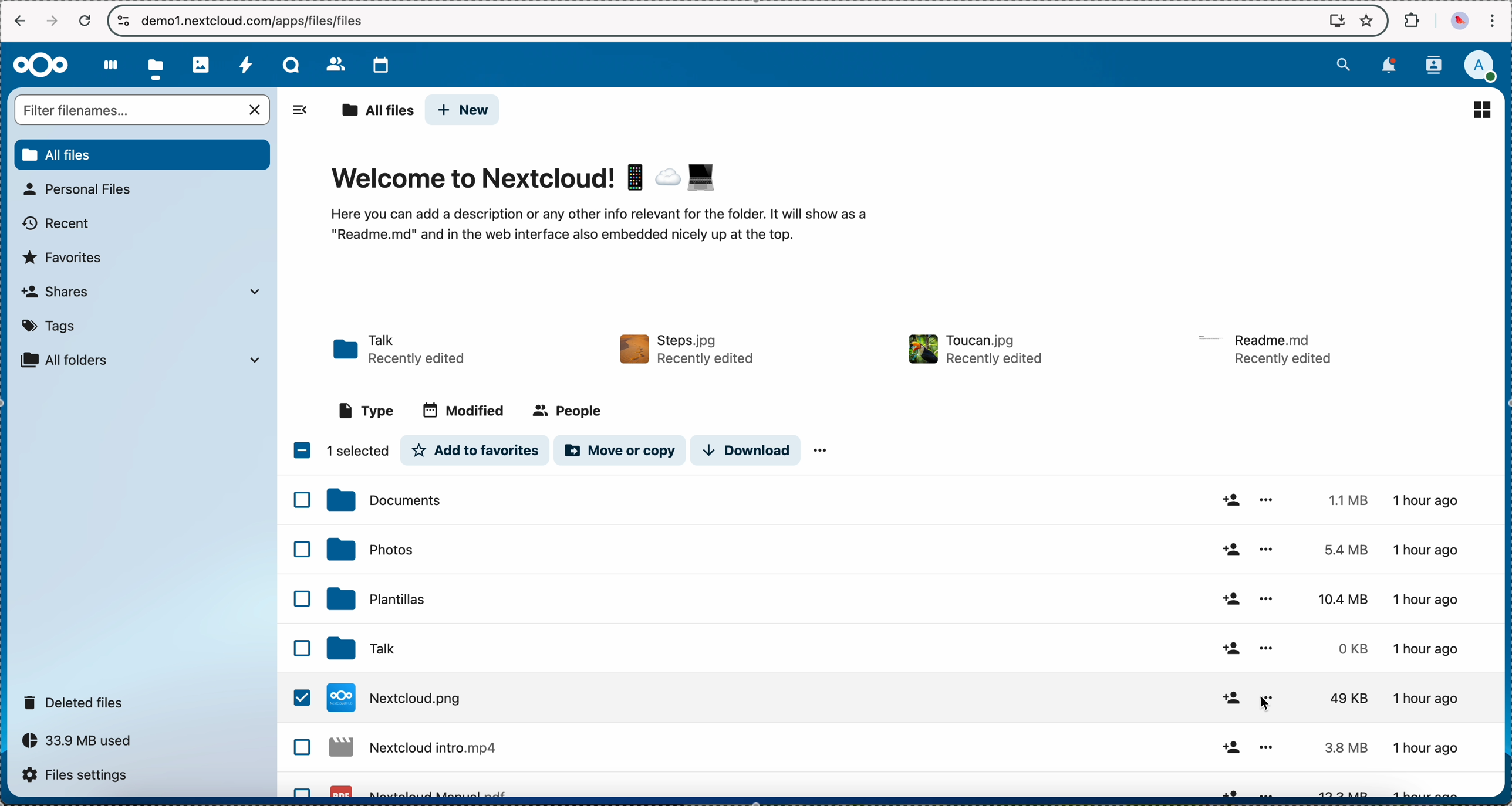 The width and height of the screenshot is (1512, 806). I want to click on deleted files, so click(78, 701).